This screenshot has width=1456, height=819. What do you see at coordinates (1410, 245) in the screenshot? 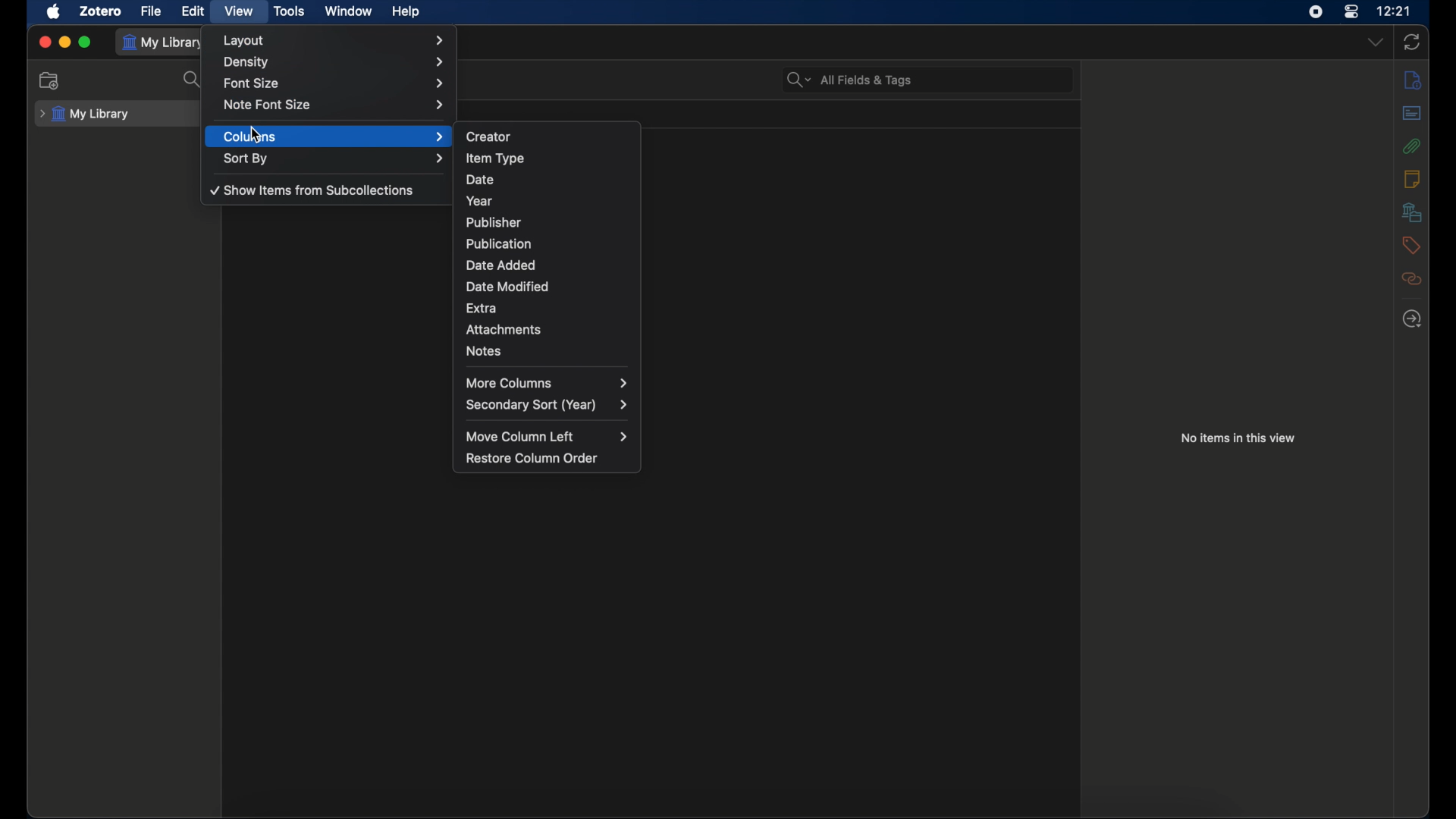
I see `tags` at bounding box center [1410, 245].